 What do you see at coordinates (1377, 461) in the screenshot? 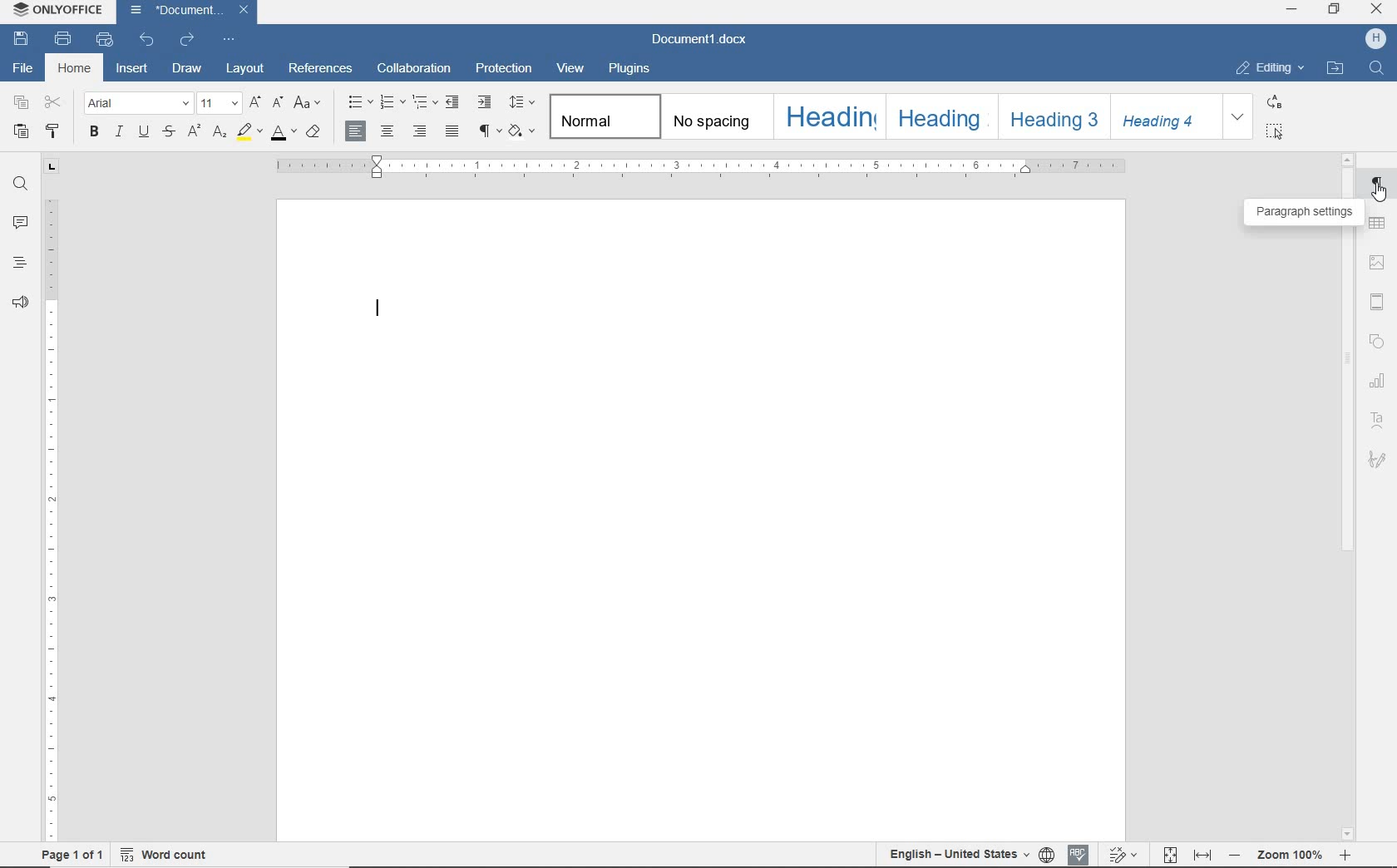
I see `signature` at bounding box center [1377, 461].